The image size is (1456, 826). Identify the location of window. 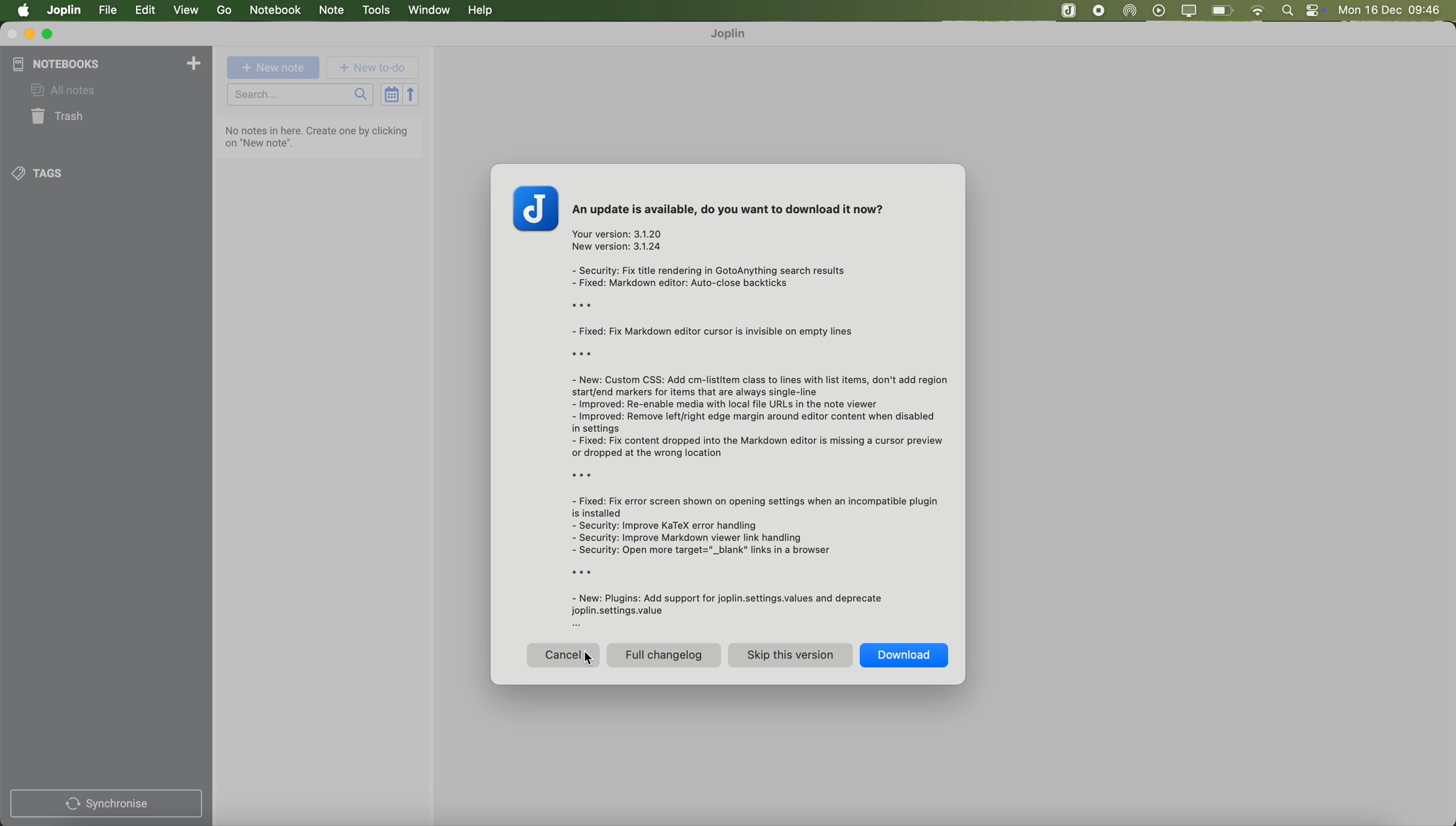
(429, 11).